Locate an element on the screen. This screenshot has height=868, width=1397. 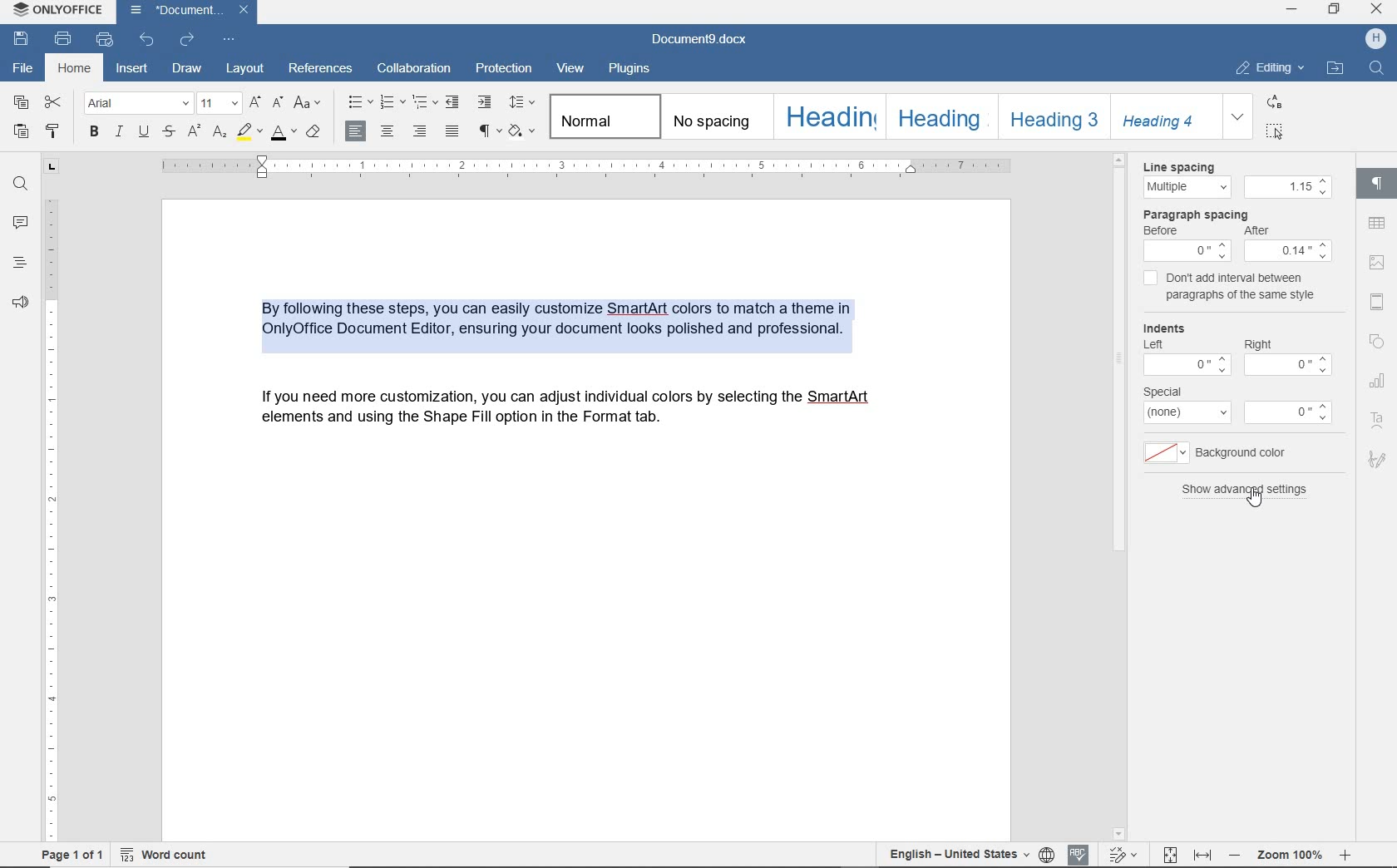
track chnges is located at coordinates (1127, 852).